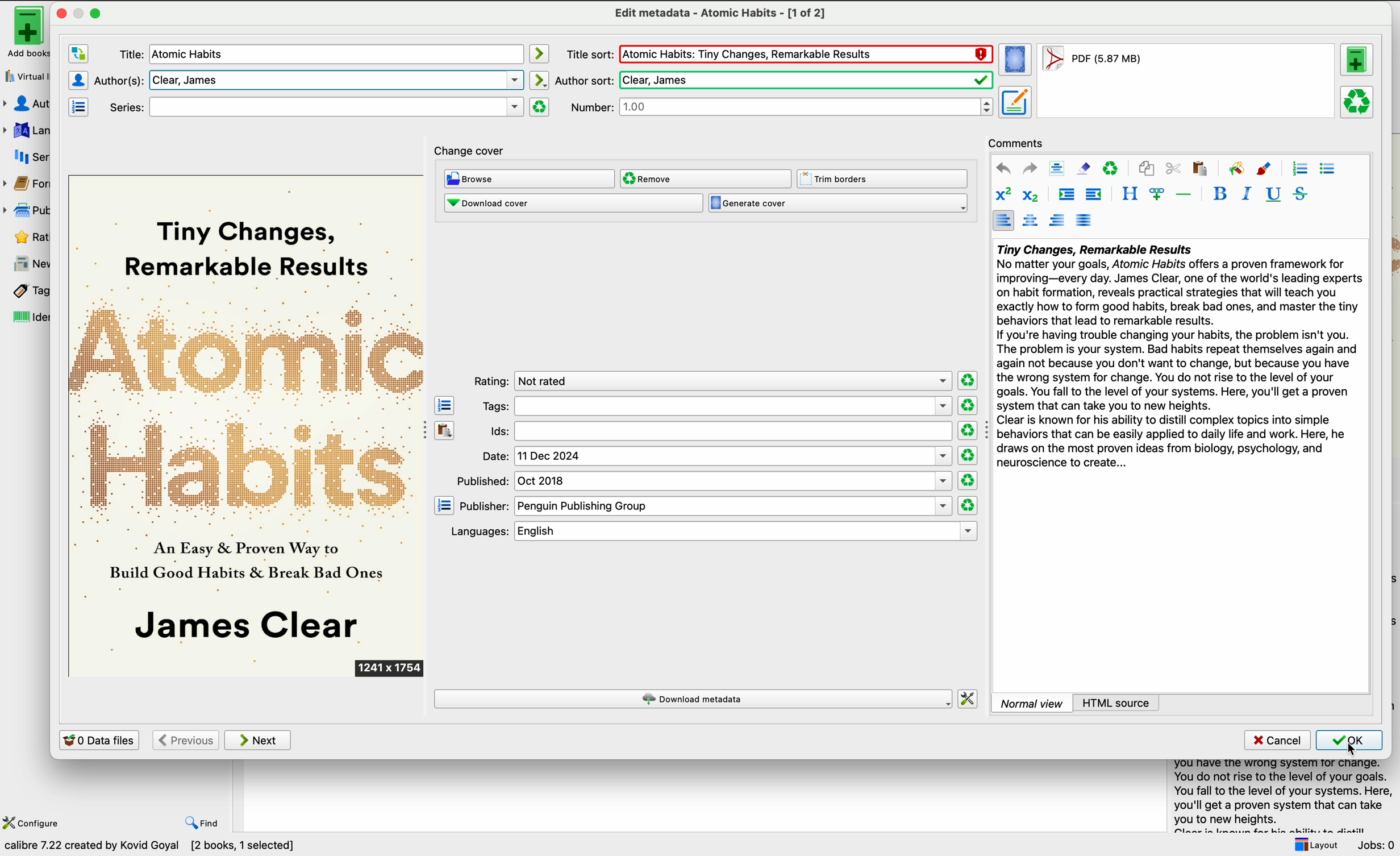  What do you see at coordinates (705, 506) in the screenshot?
I see `publisher` at bounding box center [705, 506].